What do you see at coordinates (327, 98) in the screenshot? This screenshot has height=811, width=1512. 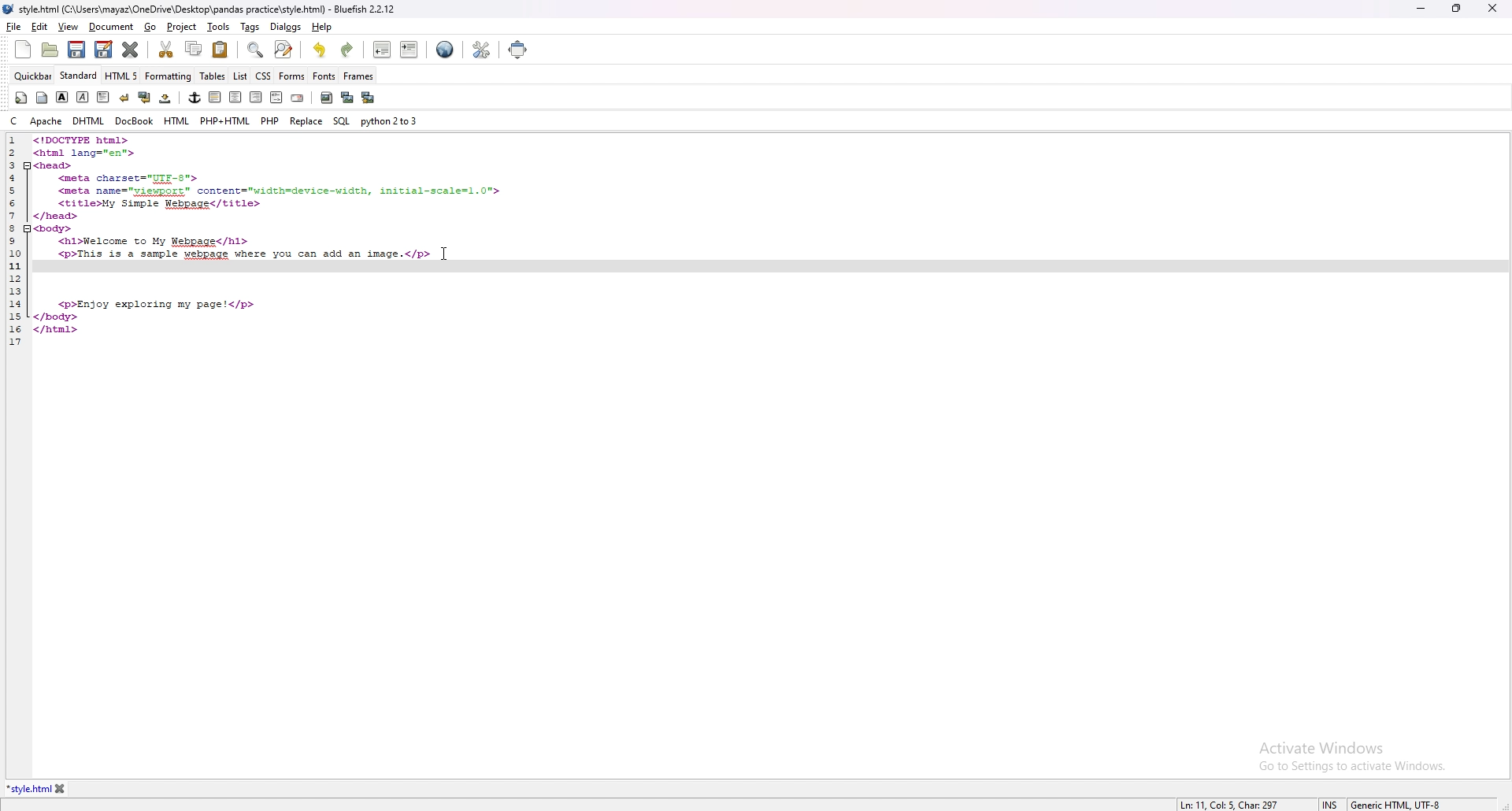 I see `insert image` at bounding box center [327, 98].